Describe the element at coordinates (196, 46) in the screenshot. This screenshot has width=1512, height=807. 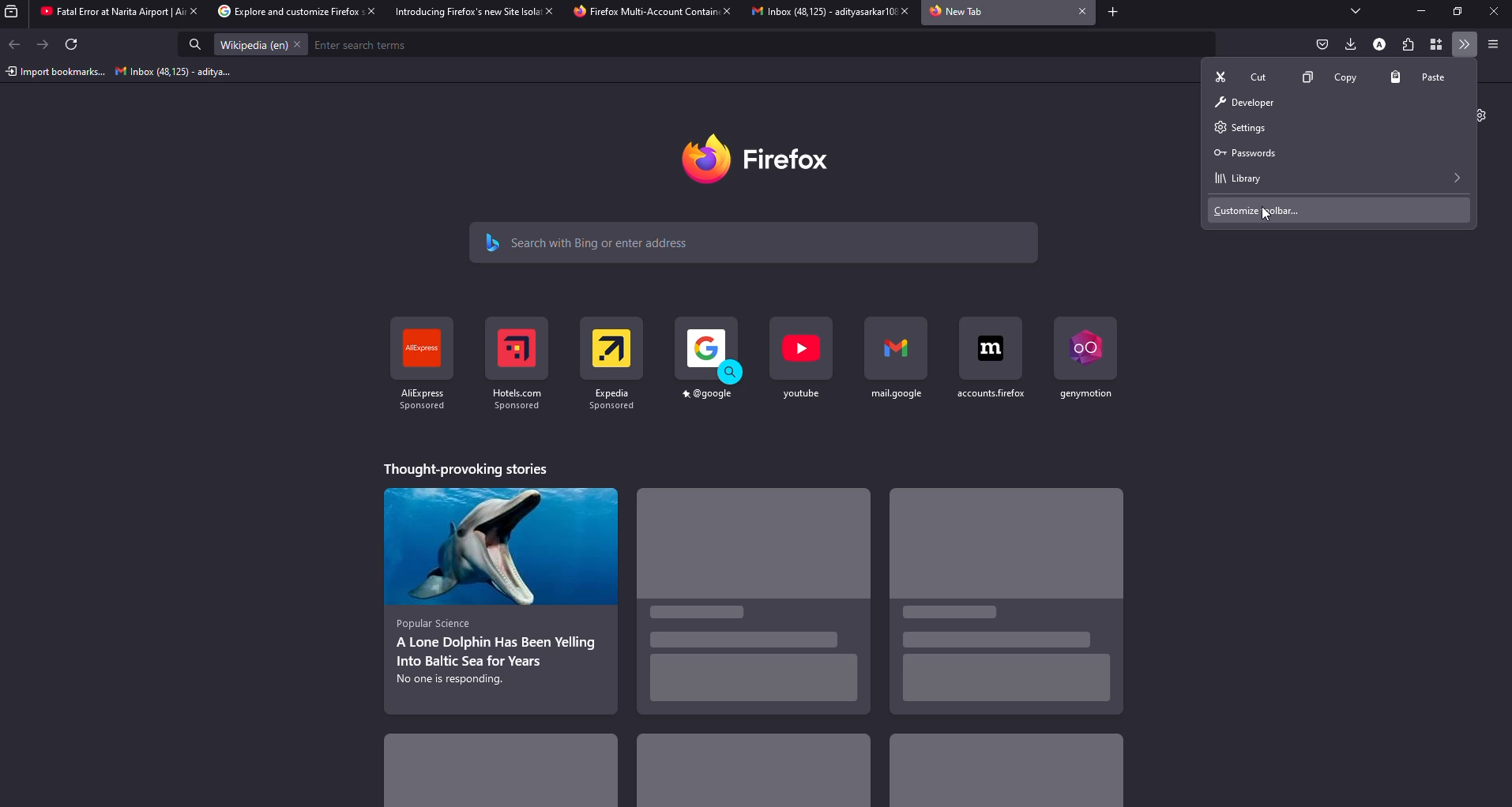
I see `search` at that location.